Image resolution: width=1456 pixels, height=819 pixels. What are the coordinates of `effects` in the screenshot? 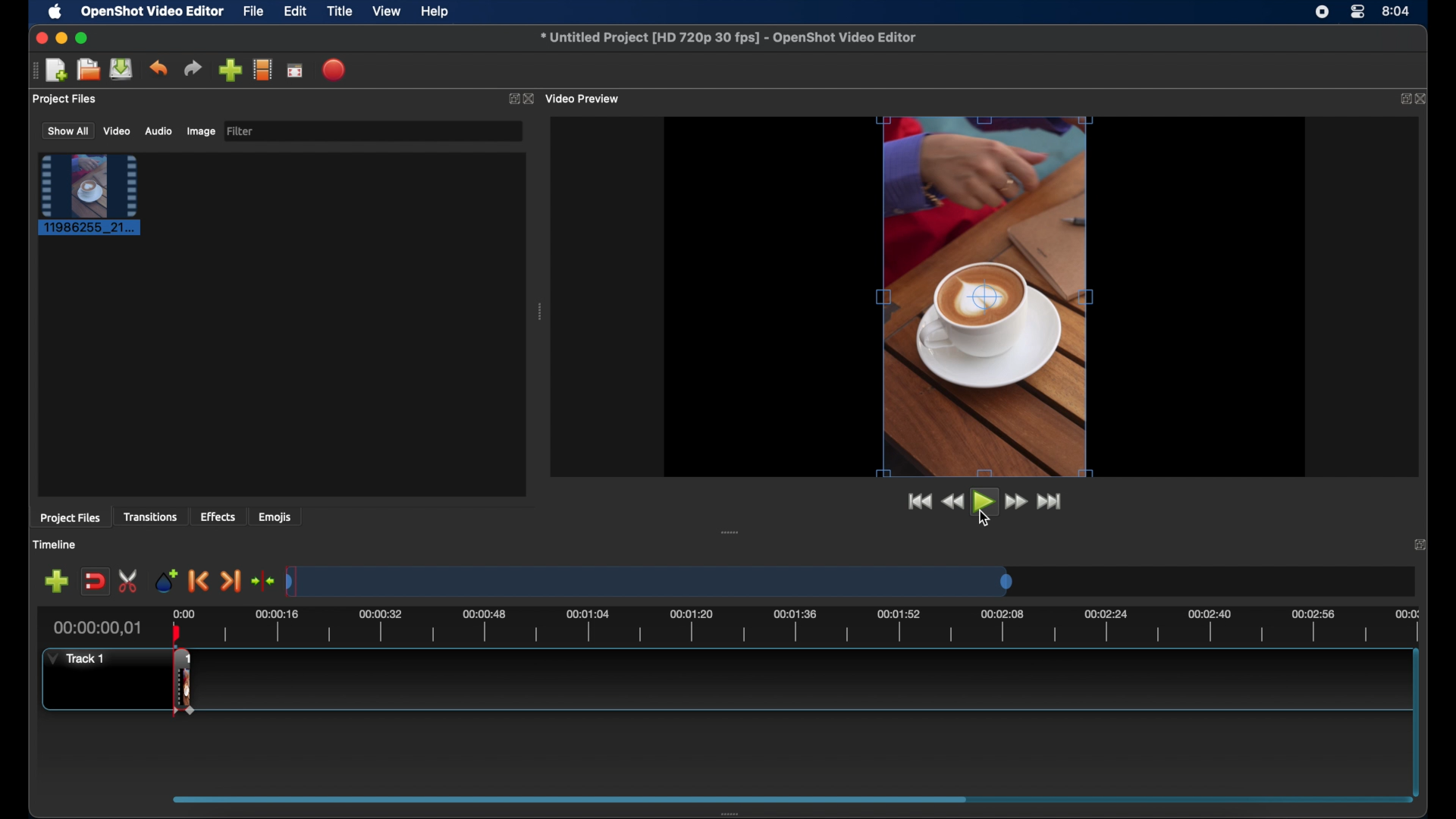 It's located at (218, 516).